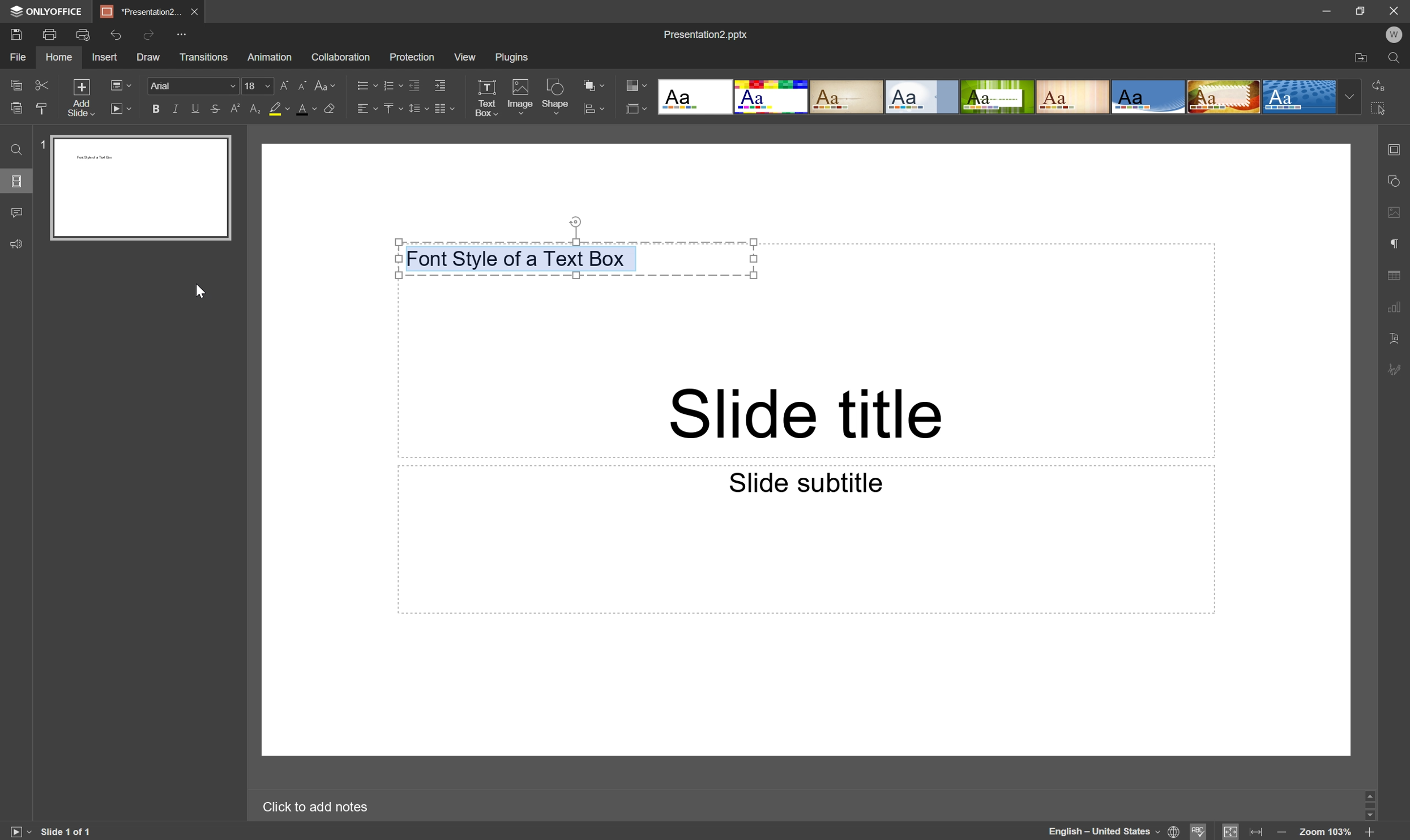 The image size is (1410, 840). I want to click on Slide settings, so click(1398, 149).